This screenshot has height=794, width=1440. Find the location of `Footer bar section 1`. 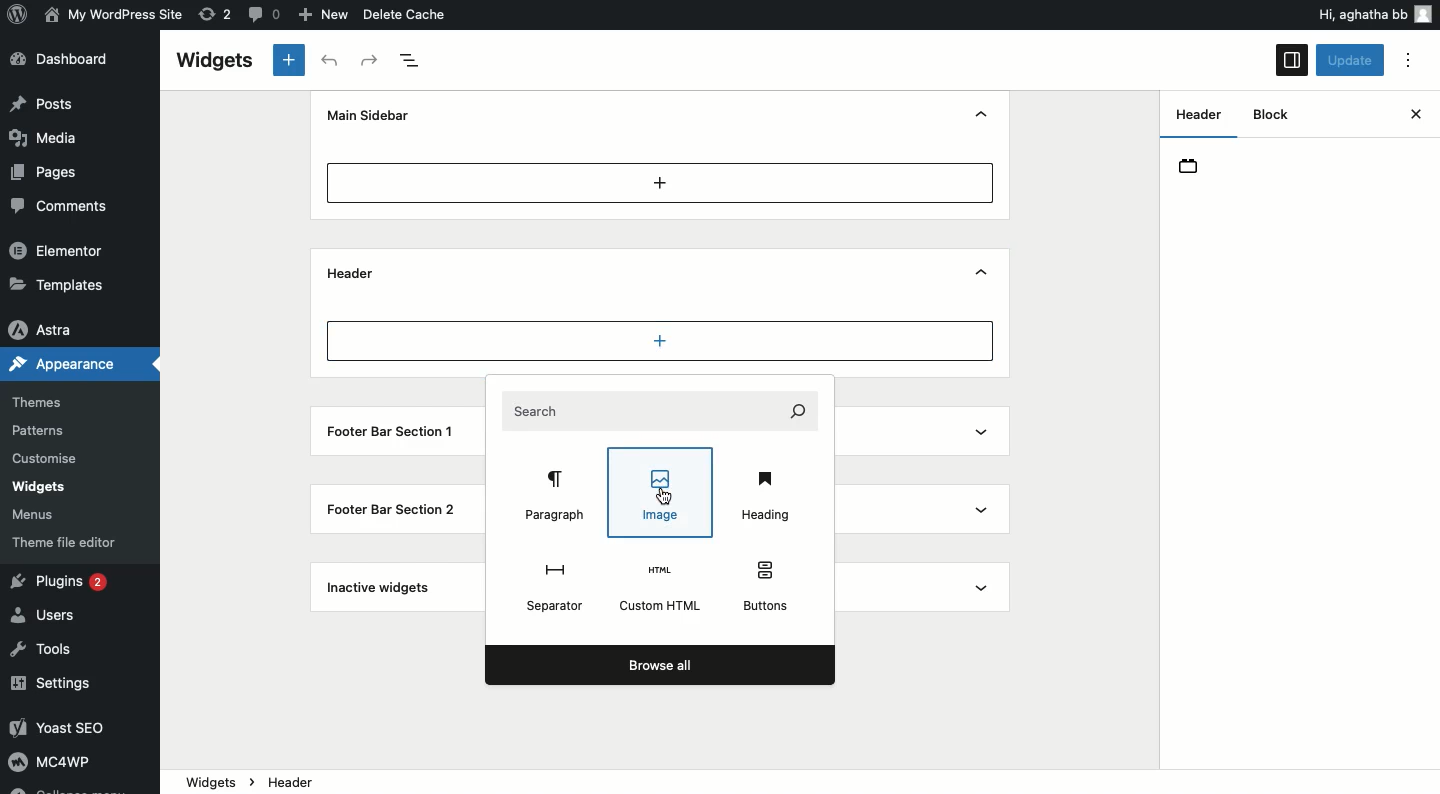

Footer bar section 1 is located at coordinates (398, 429).